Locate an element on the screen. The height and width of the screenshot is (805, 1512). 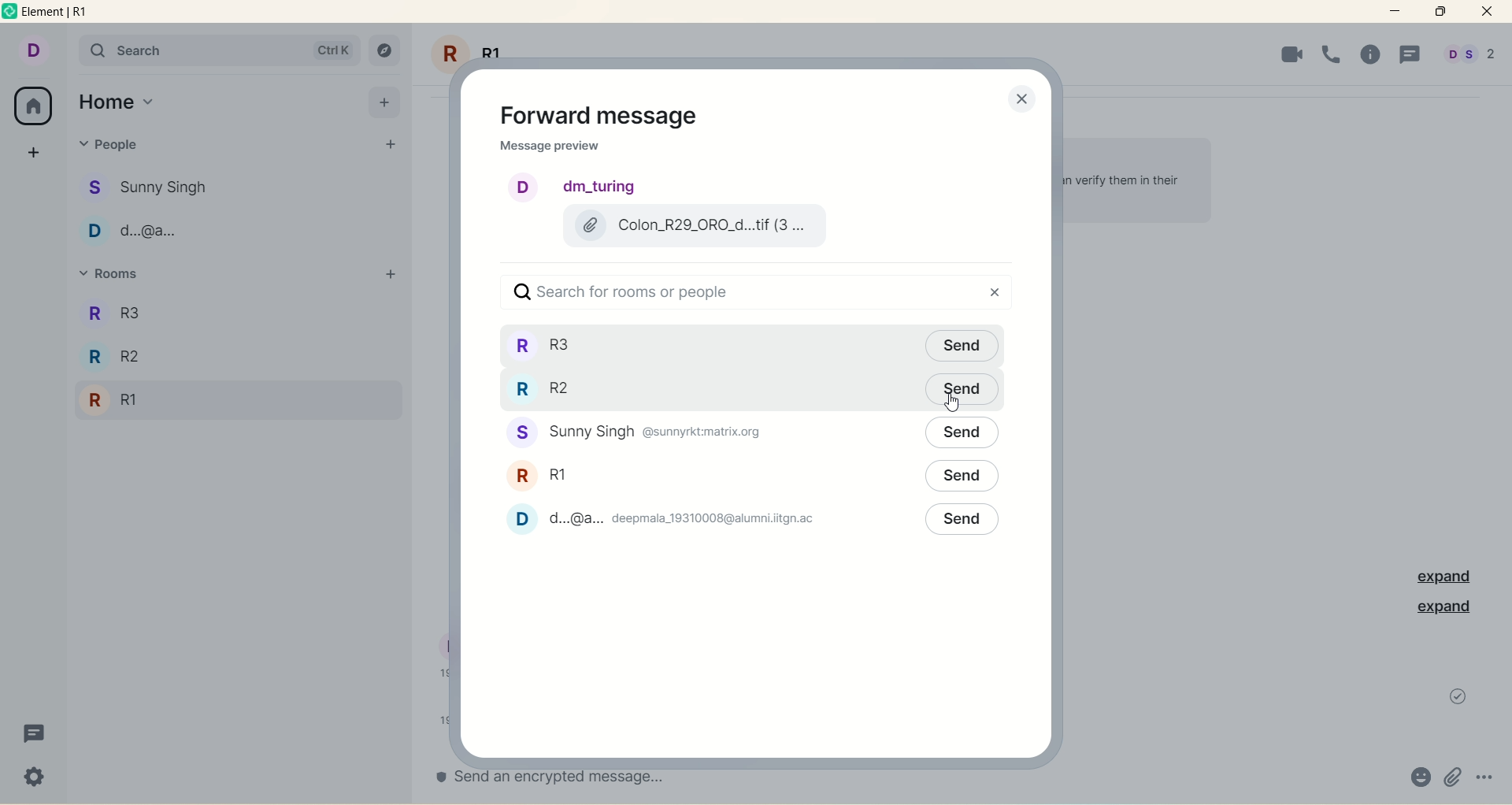
minimize is located at coordinates (1396, 9).